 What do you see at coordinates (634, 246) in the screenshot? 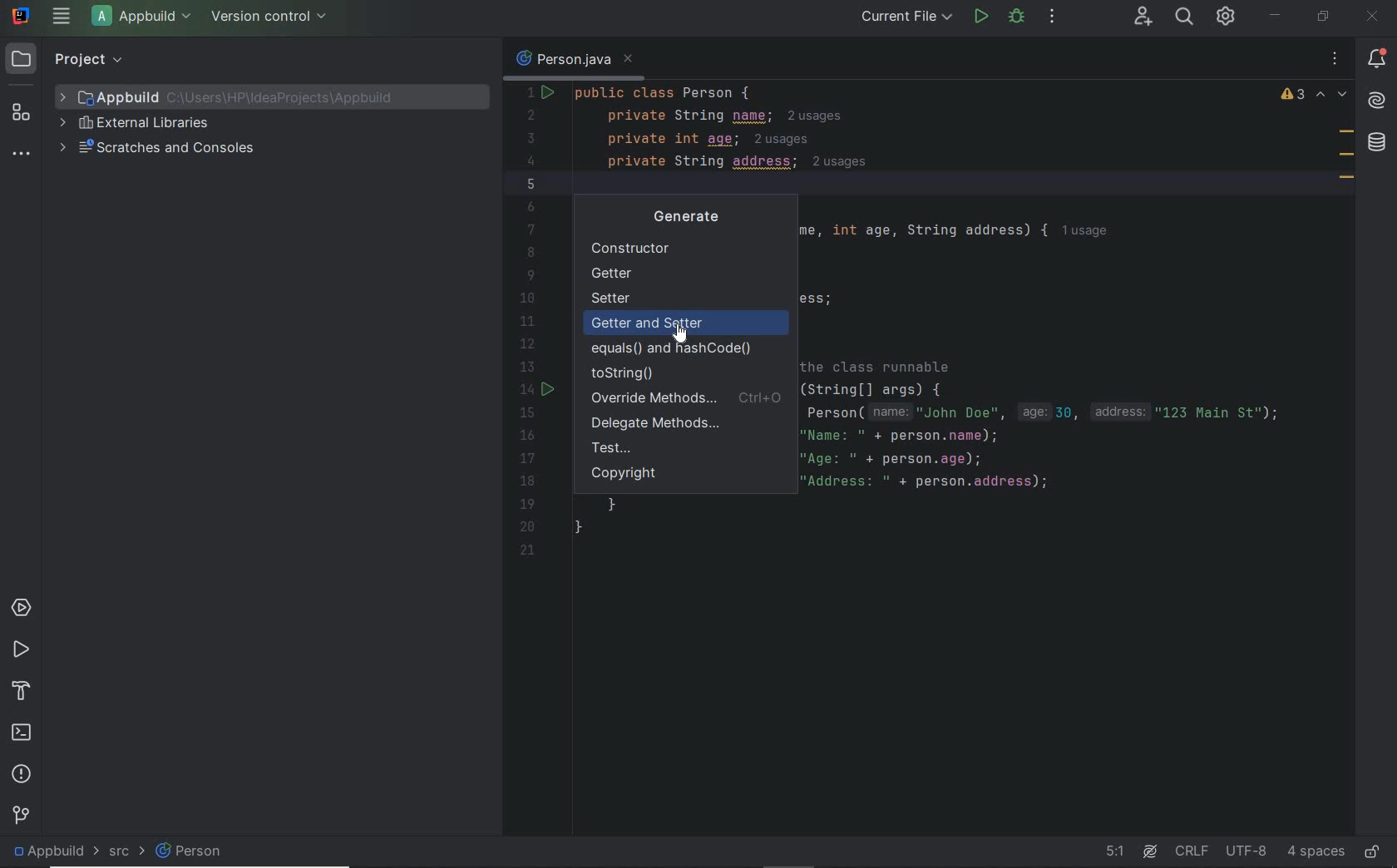
I see `Constructor` at bounding box center [634, 246].